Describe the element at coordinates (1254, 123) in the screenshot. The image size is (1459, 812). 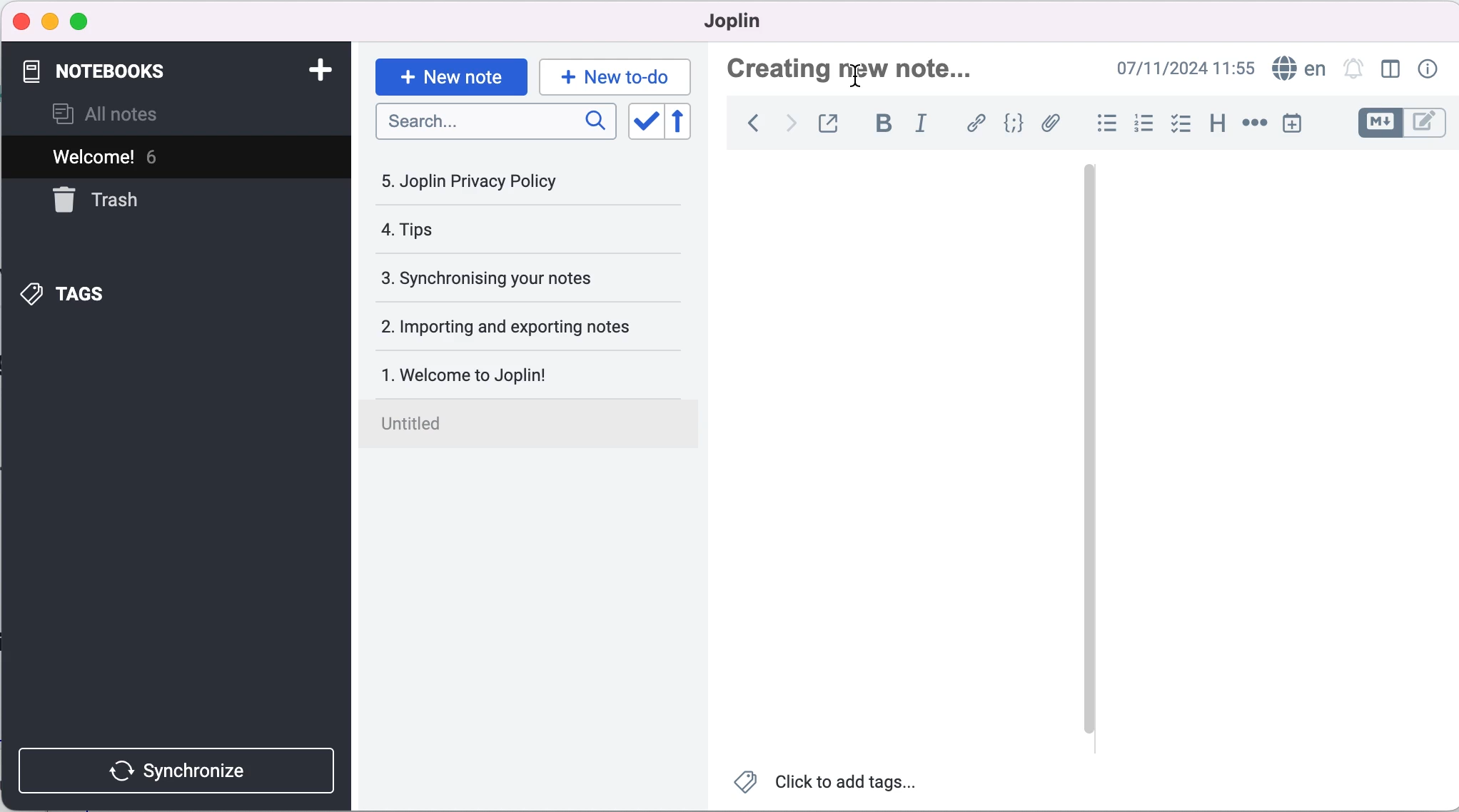
I see `horizontal rule` at that location.